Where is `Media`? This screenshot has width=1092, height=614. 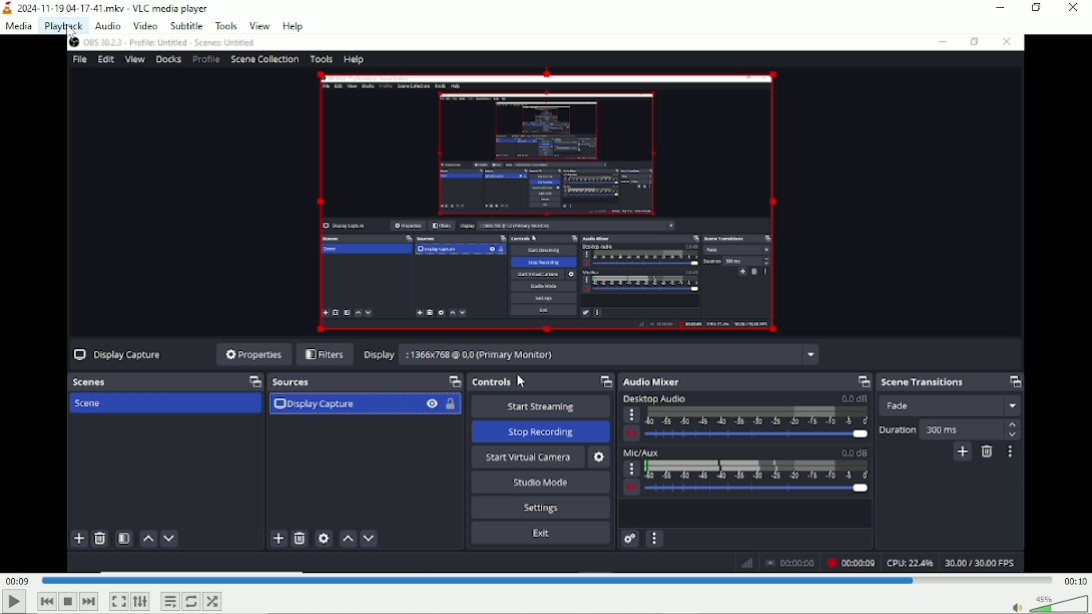
Media is located at coordinates (17, 26).